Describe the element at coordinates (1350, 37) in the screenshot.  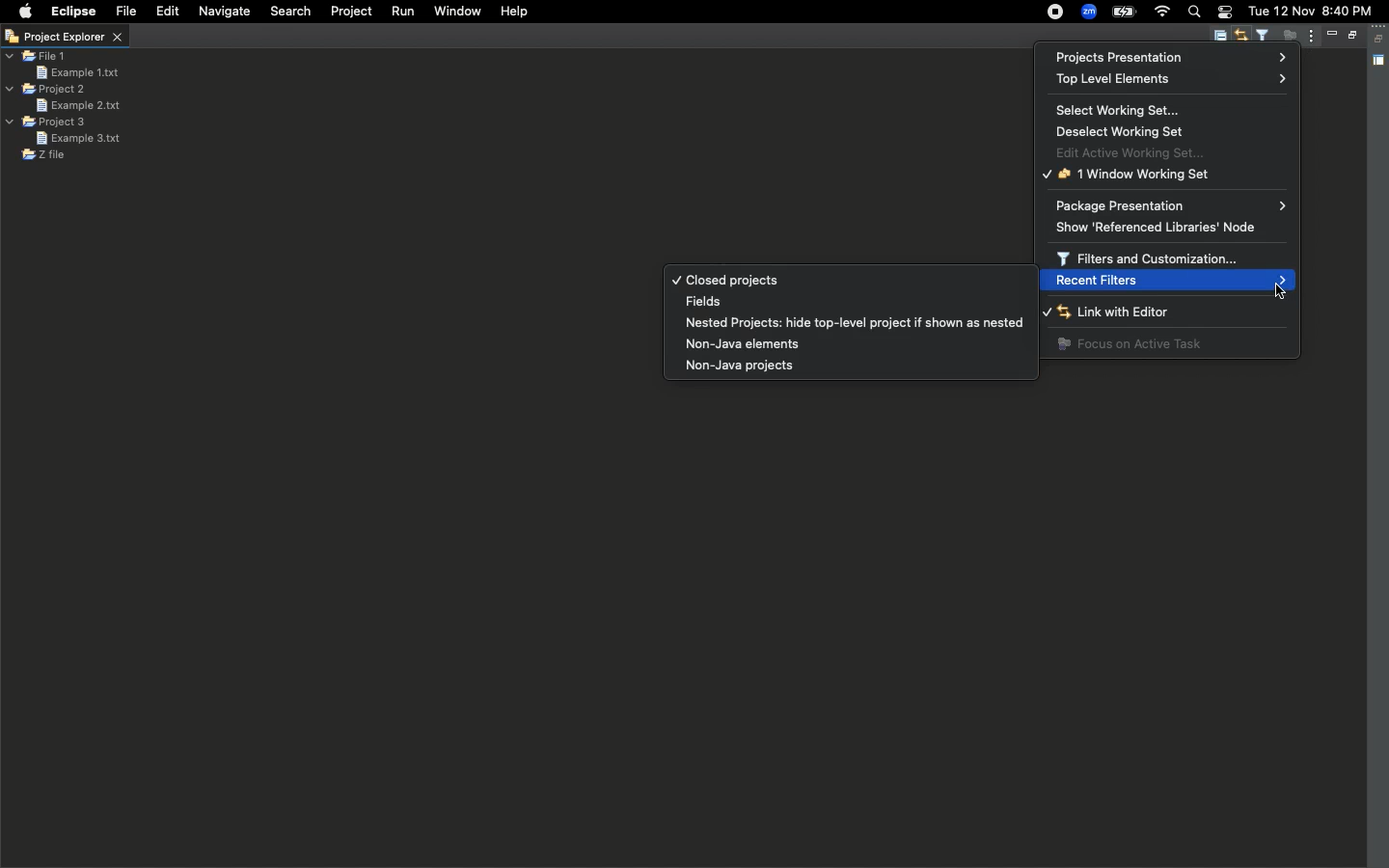
I see `Maximize` at that location.